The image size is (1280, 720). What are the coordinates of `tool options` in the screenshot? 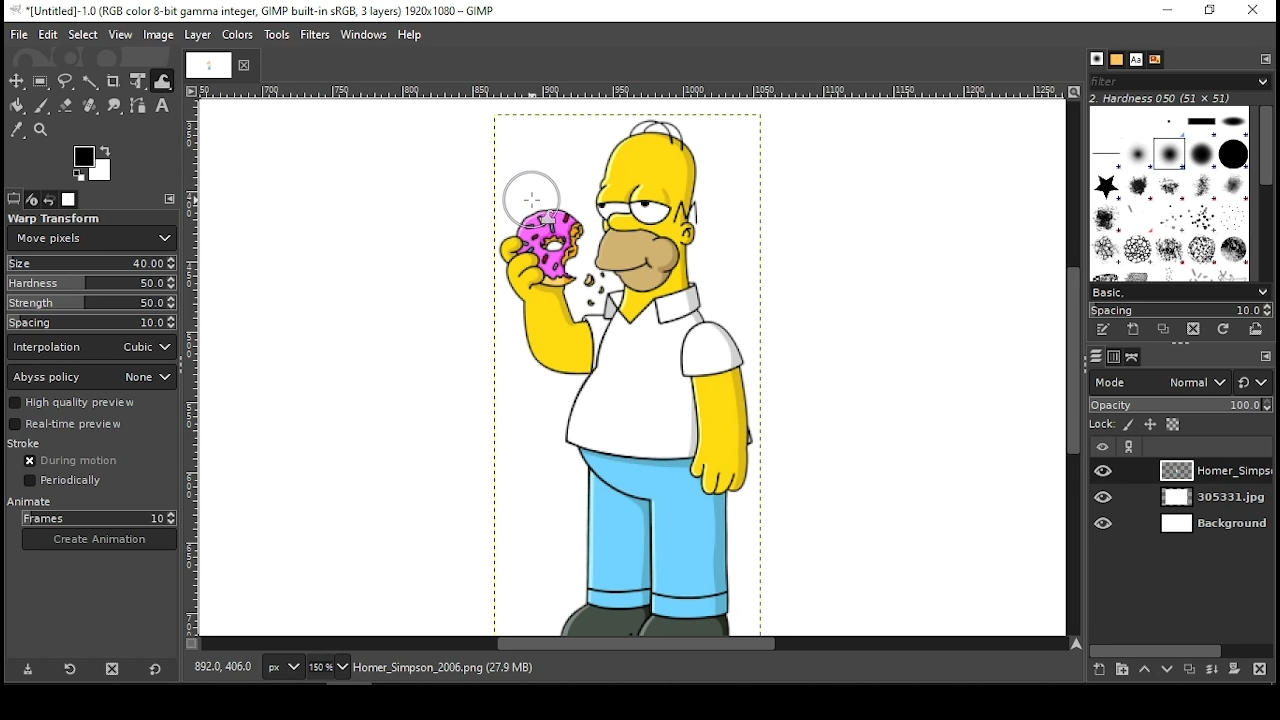 It's located at (15, 199).